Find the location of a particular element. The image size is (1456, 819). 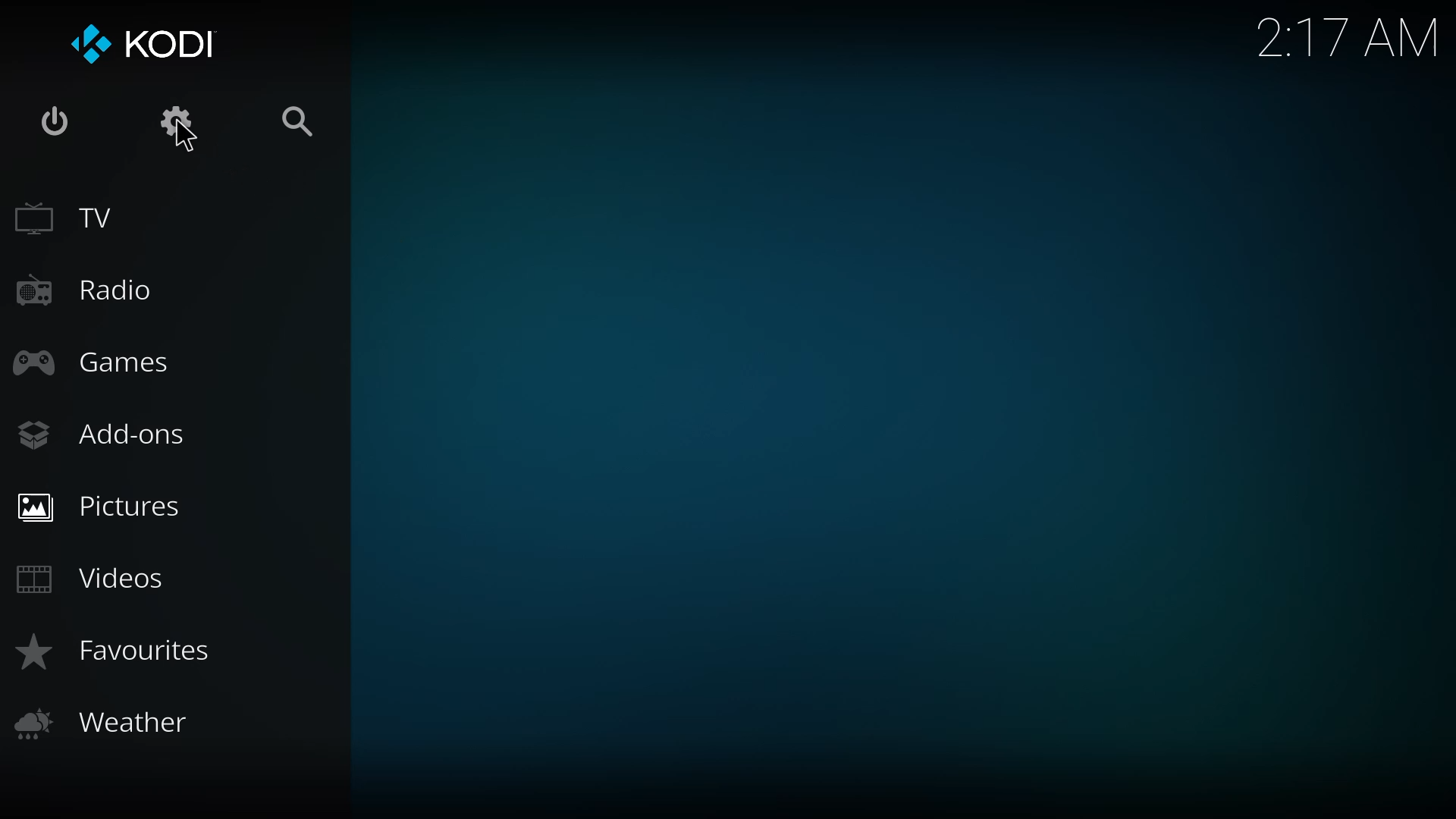

radio is located at coordinates (92, 285).